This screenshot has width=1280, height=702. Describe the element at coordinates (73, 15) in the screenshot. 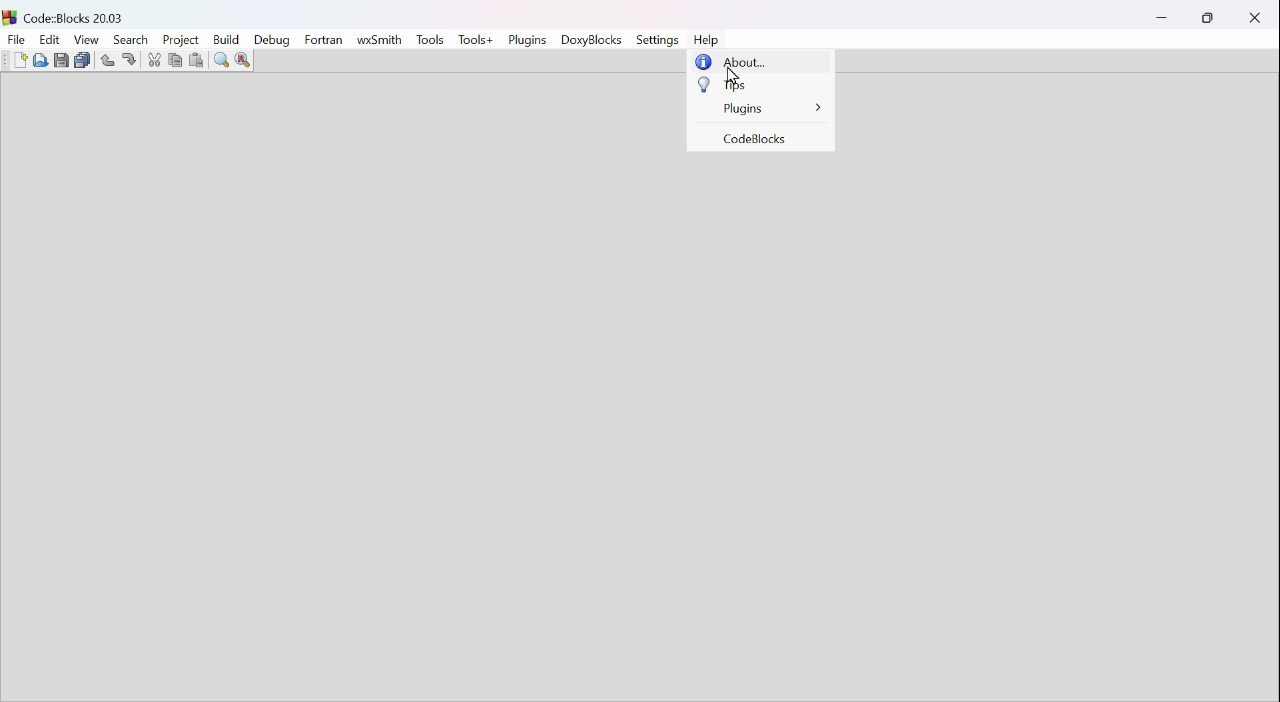

I see `Code blocks 20.03` at that location.